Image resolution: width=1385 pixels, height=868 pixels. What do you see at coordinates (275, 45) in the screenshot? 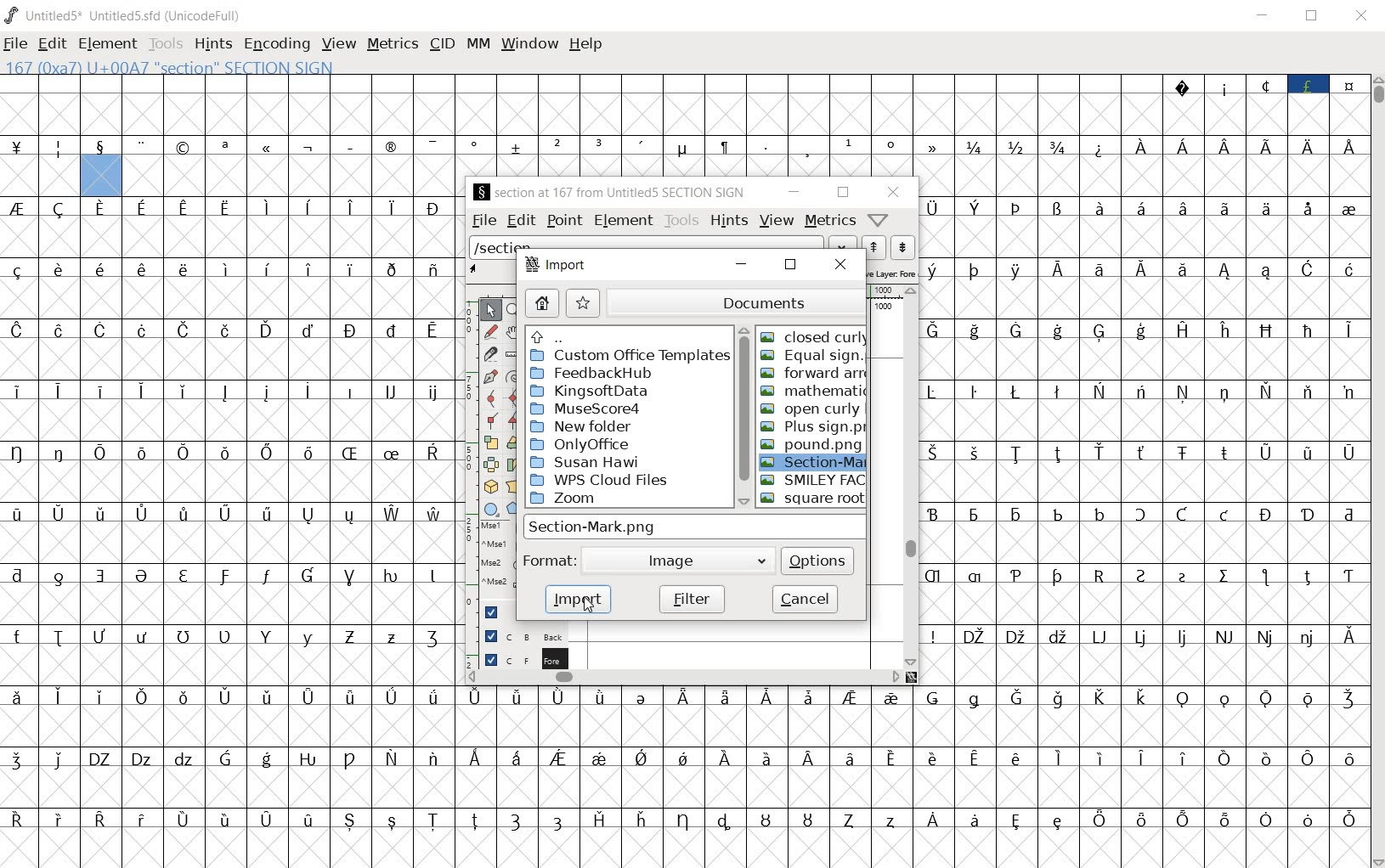
I see `ENCODING` at bounding box center [275, 45].